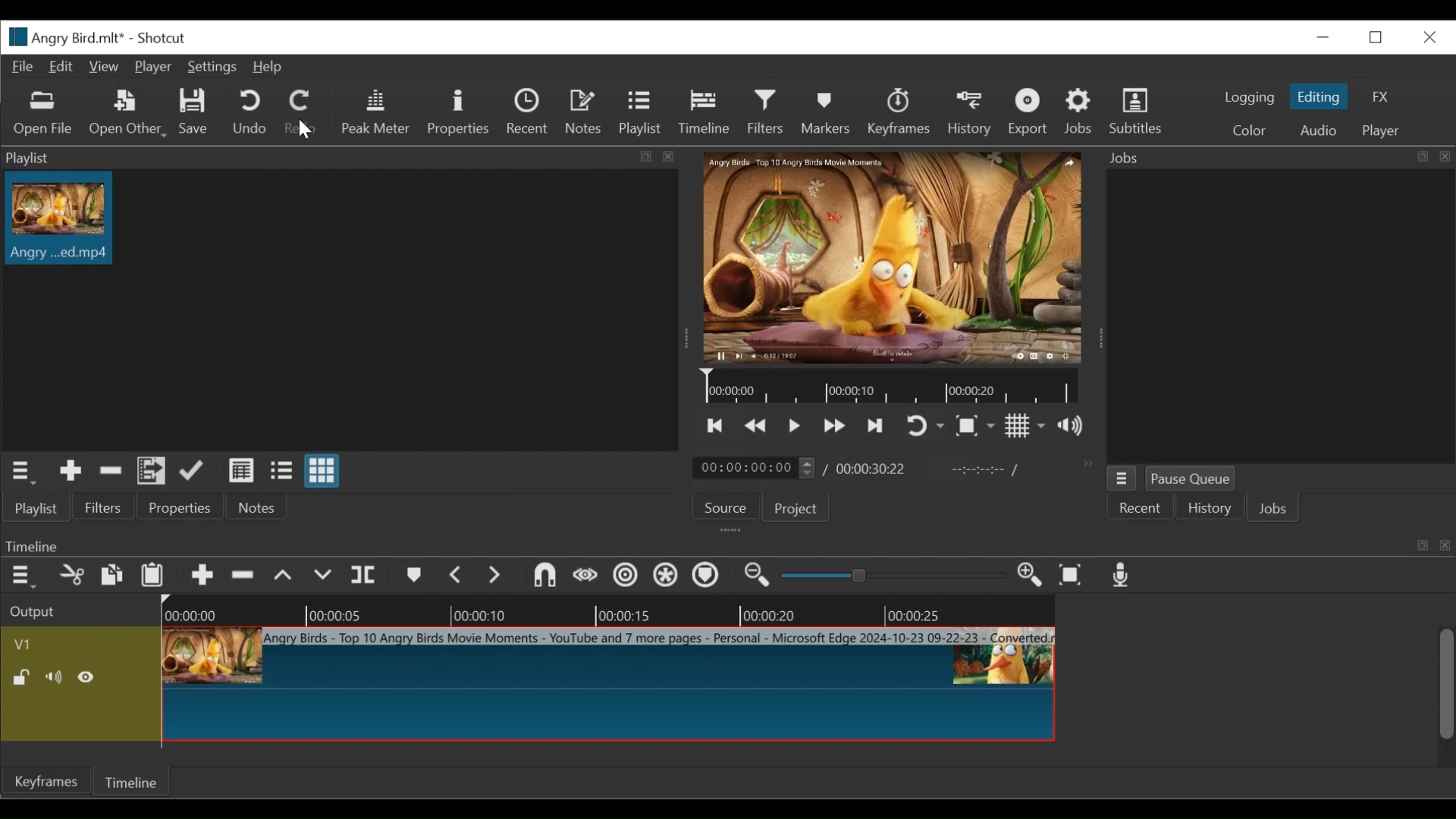  I want to click on History, so click(1210, 510).